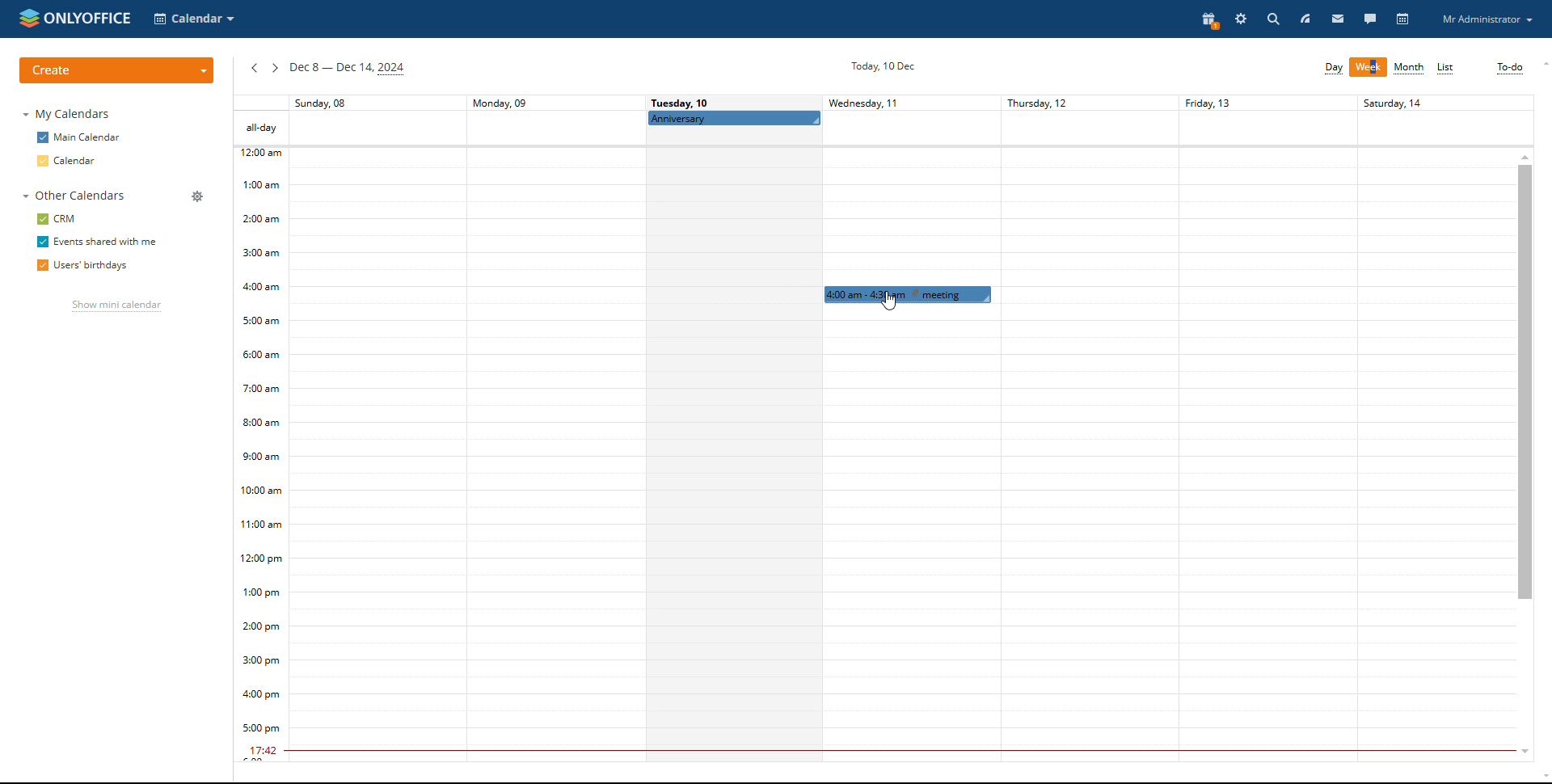  Describe the element at coordinates (880, 65) in the screenshot. I see `Today 10 dec` at that location.